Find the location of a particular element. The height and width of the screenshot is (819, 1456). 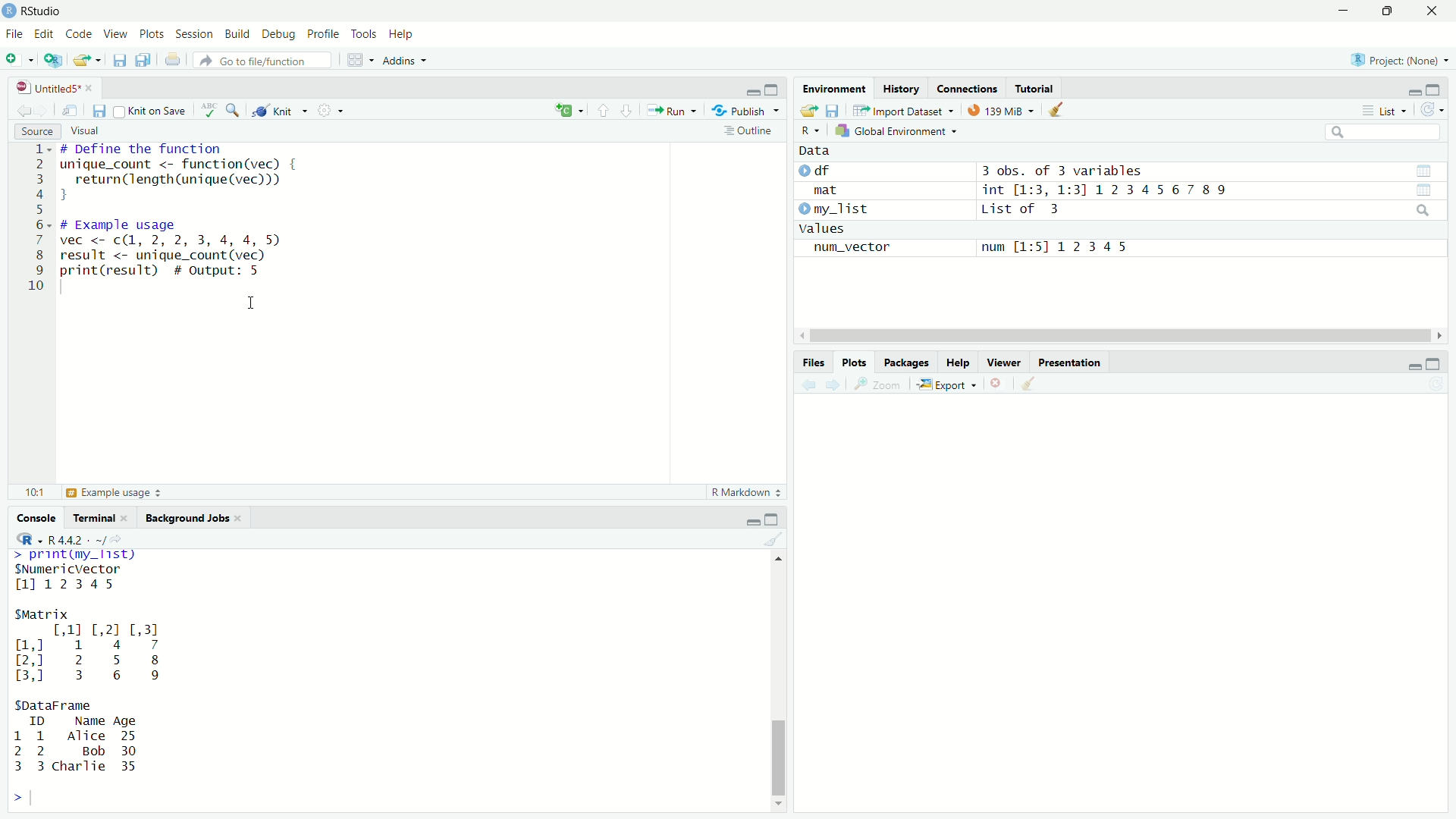

new file is located at coordinates (13, 58).